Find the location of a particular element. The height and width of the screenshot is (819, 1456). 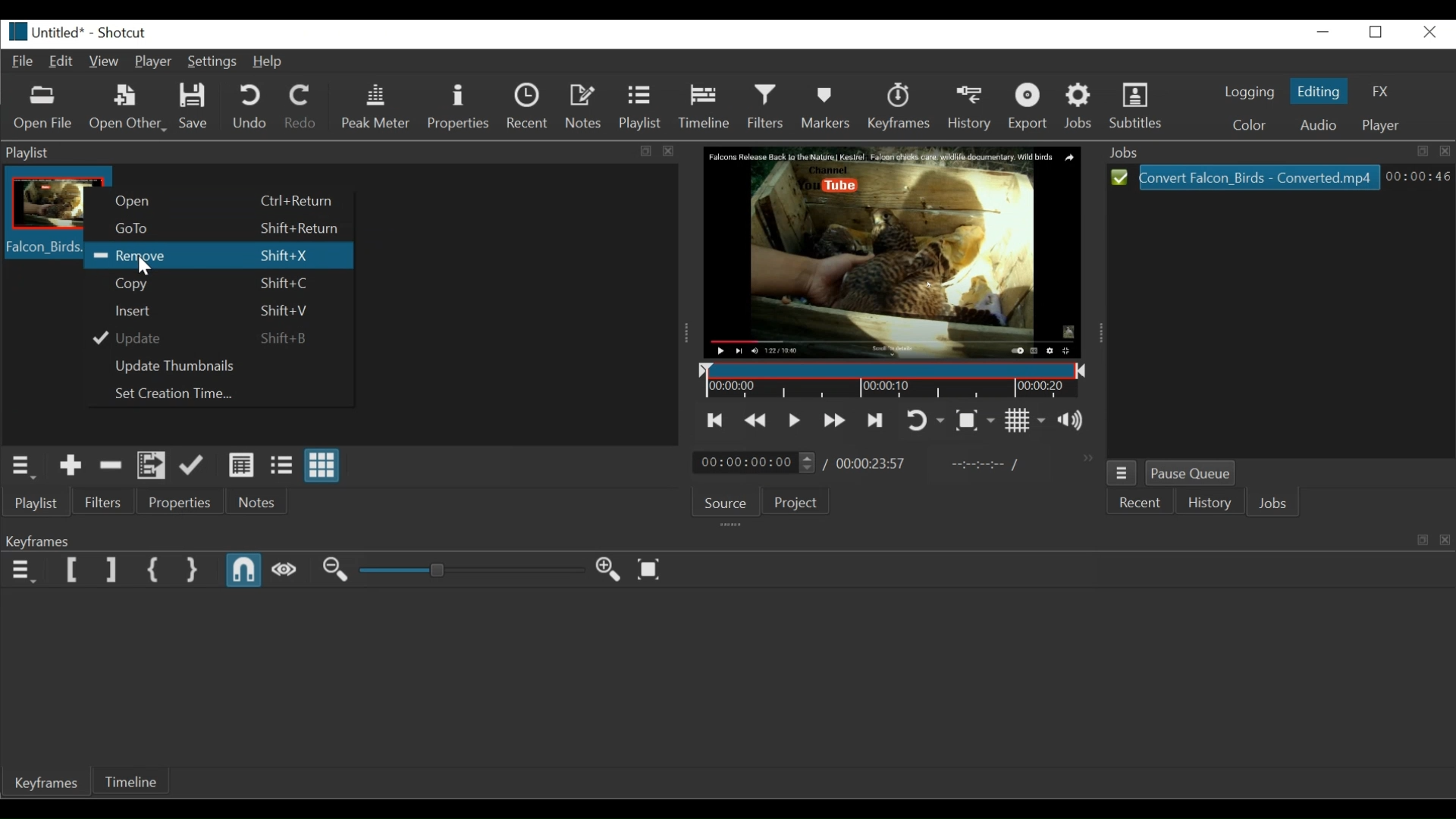

Peak meter is located at coordinates (375, 107).